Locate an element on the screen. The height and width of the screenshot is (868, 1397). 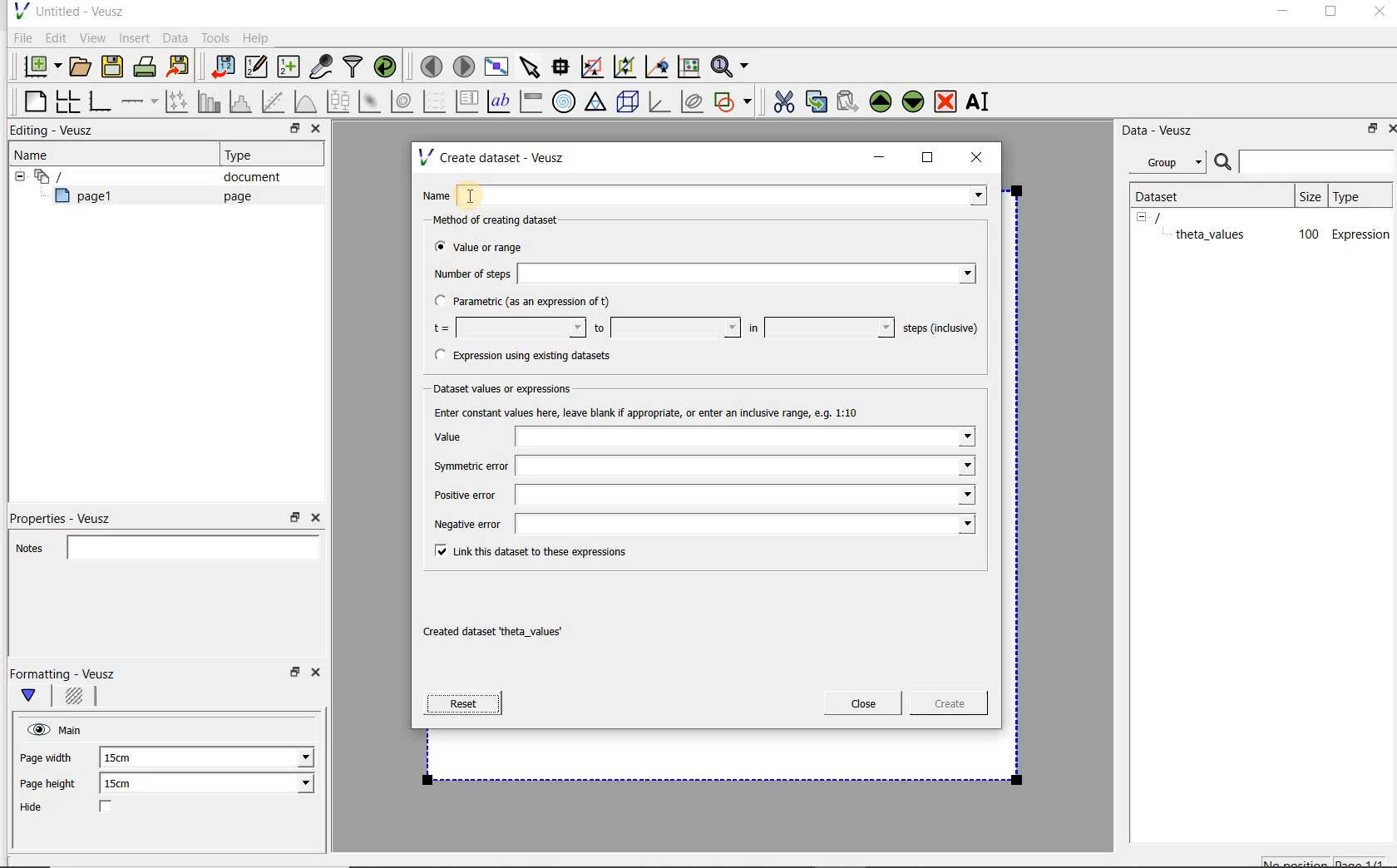
click to recenter graph axes is located at coordinates (658, 67).